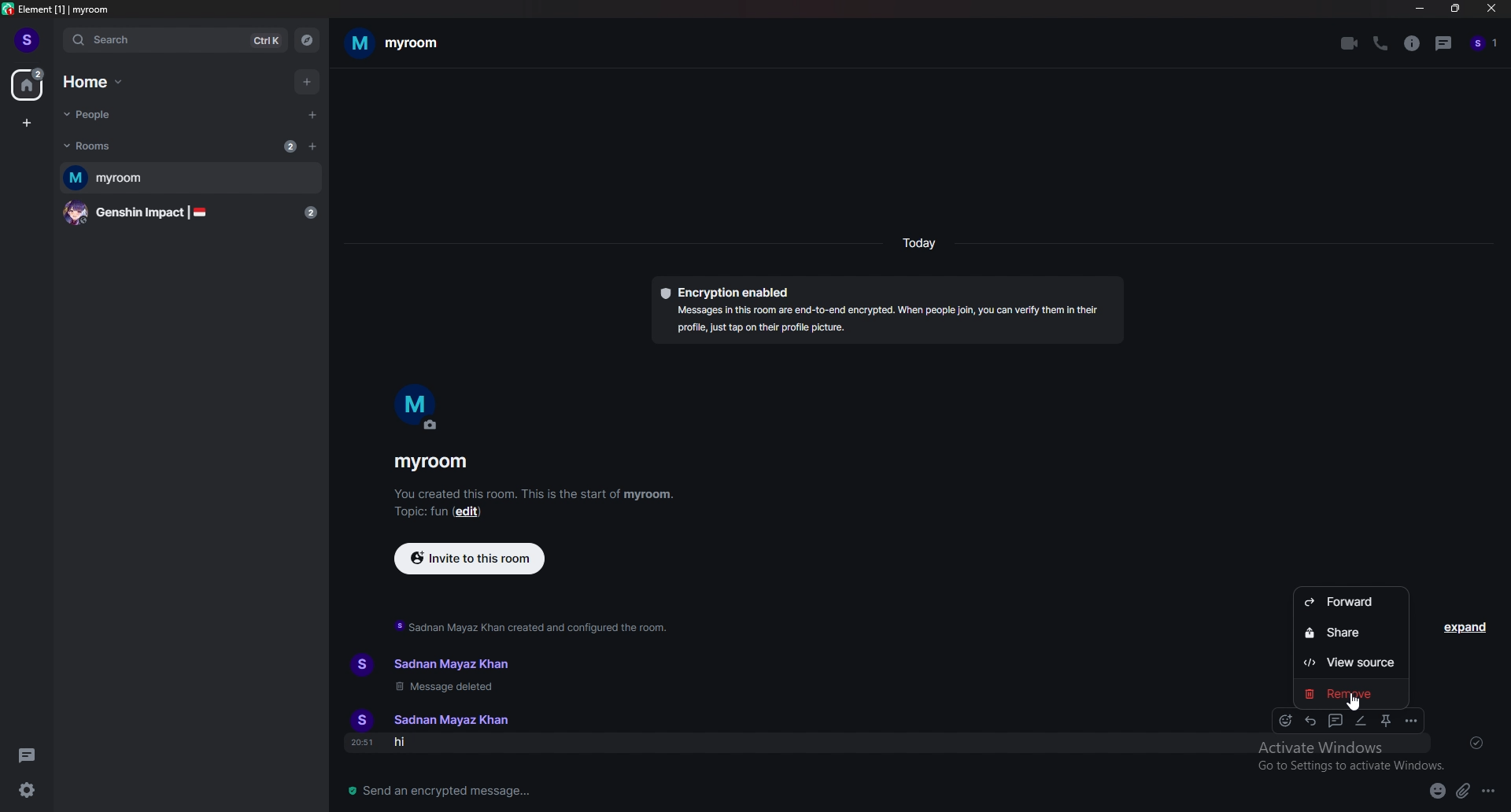 The width and height of the screenshot is (1511, 812). What do you see at coordinates (95, 82) in the screenshot?
I see `home` at bounding box center [95, 82].